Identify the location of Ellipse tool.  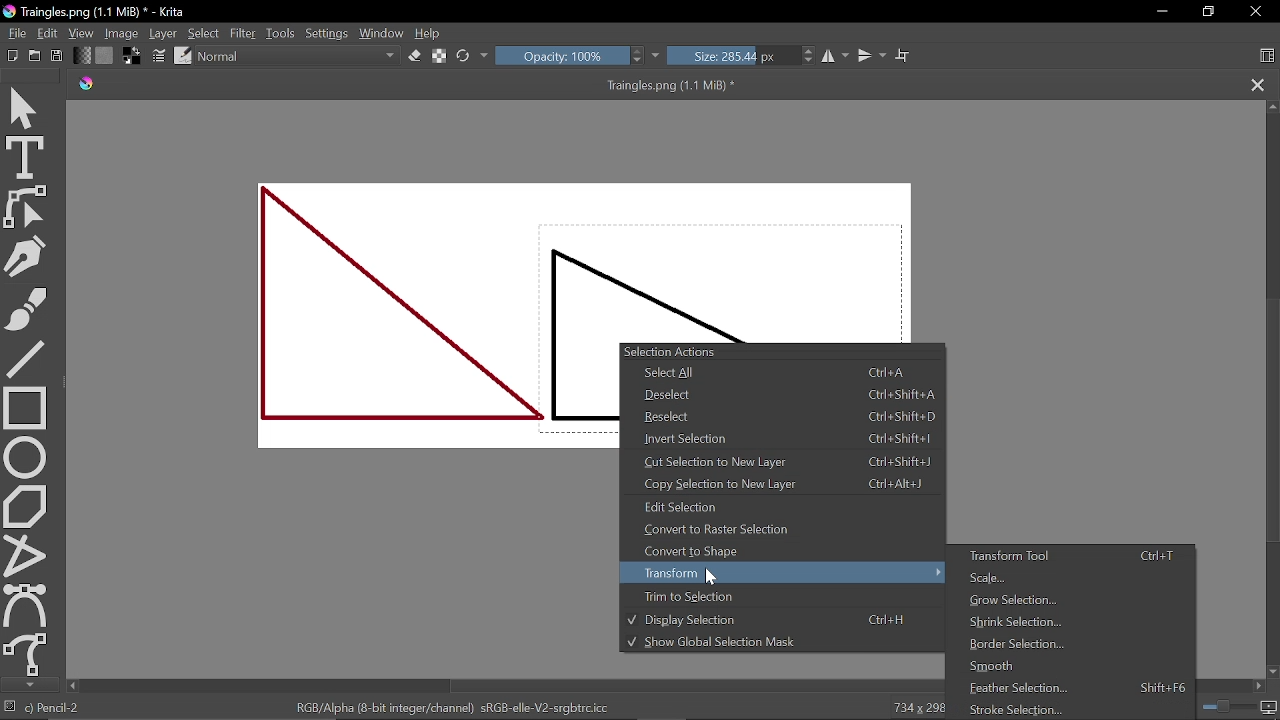
(26, 456).